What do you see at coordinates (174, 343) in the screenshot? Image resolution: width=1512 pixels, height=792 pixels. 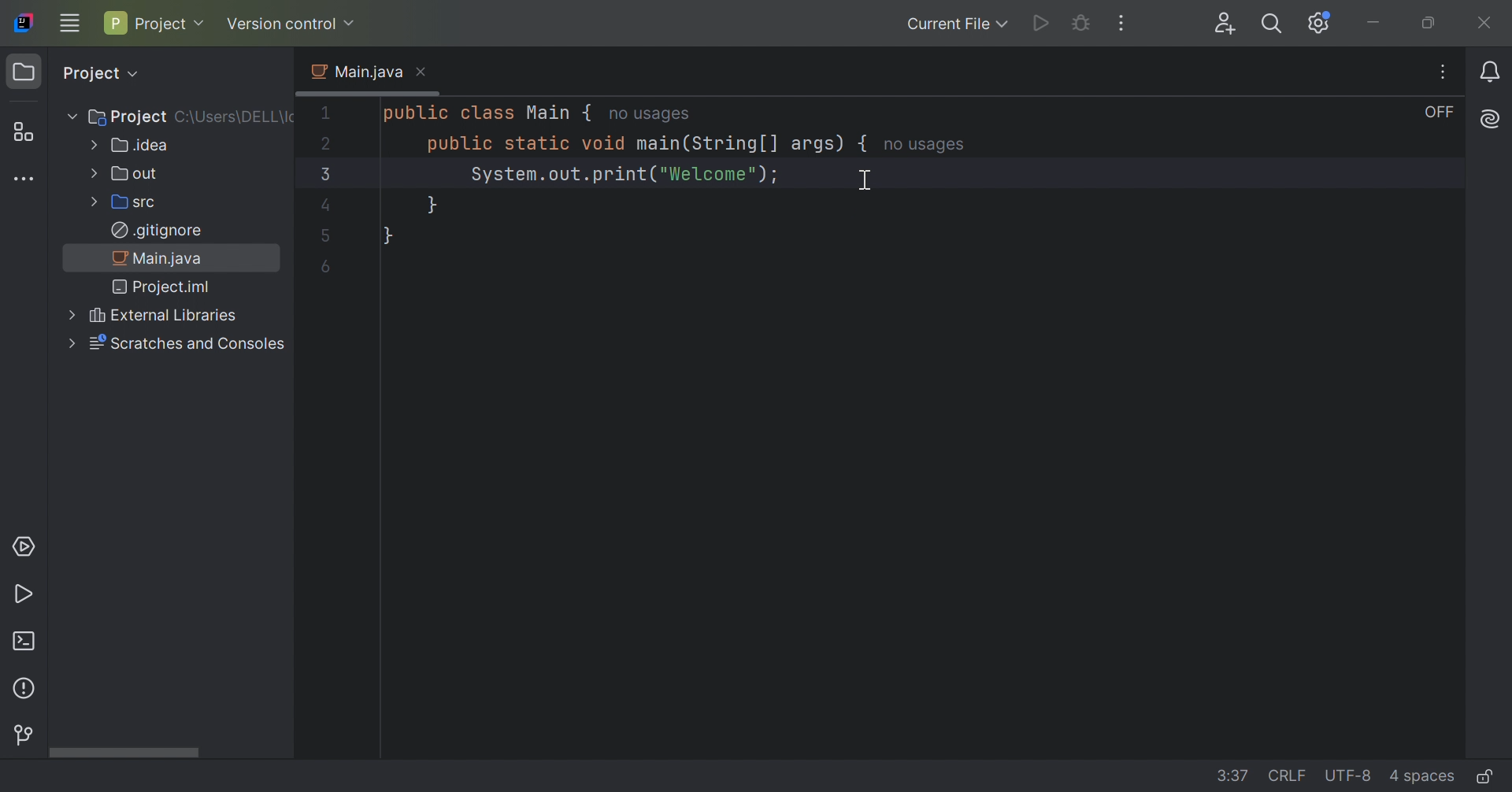 I see `Scratches and Consoles` at bounding box center [174, 343].